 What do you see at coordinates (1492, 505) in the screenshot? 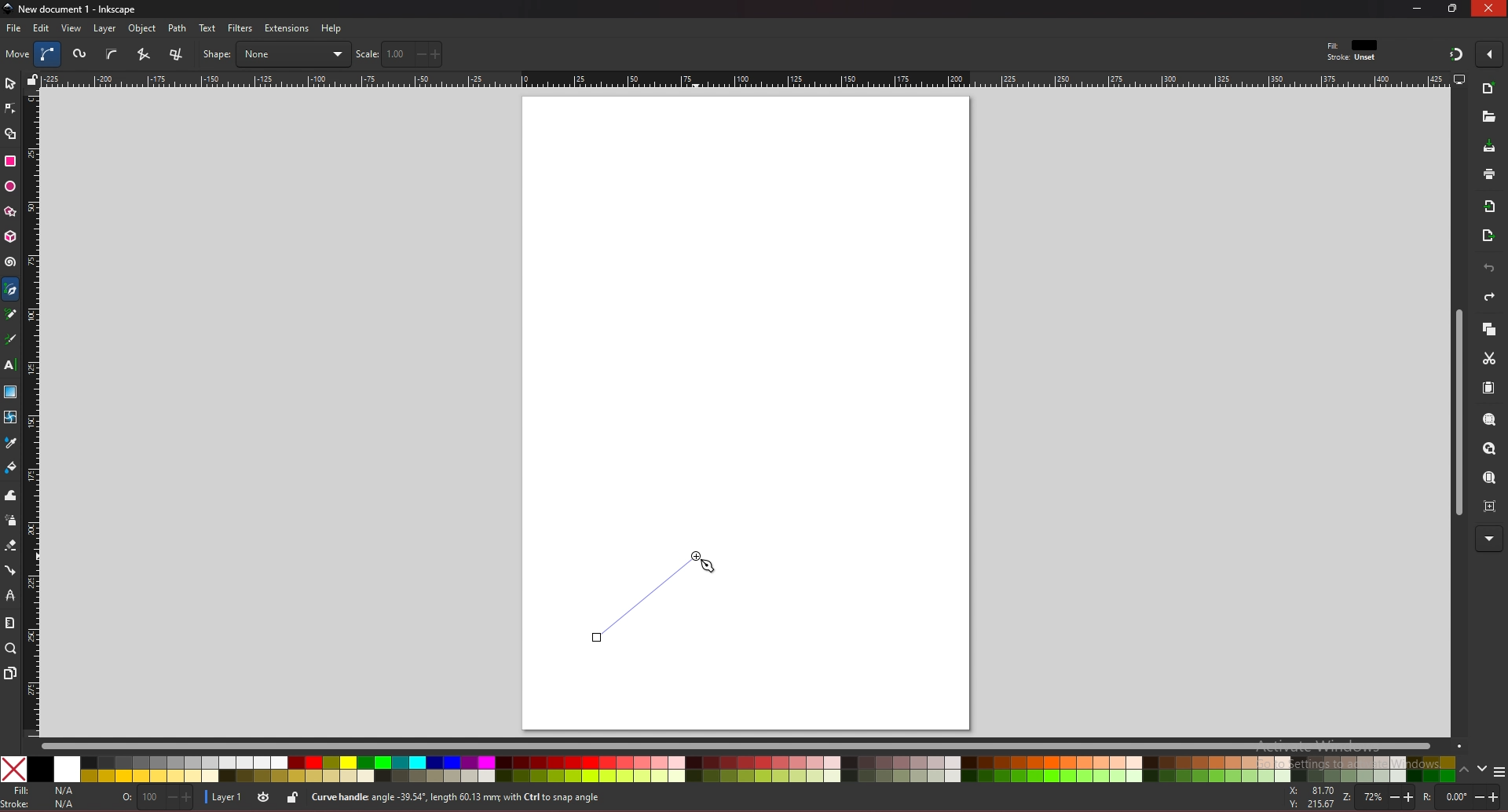
I see `zoom centre page` at bounding box center [1492, 505].